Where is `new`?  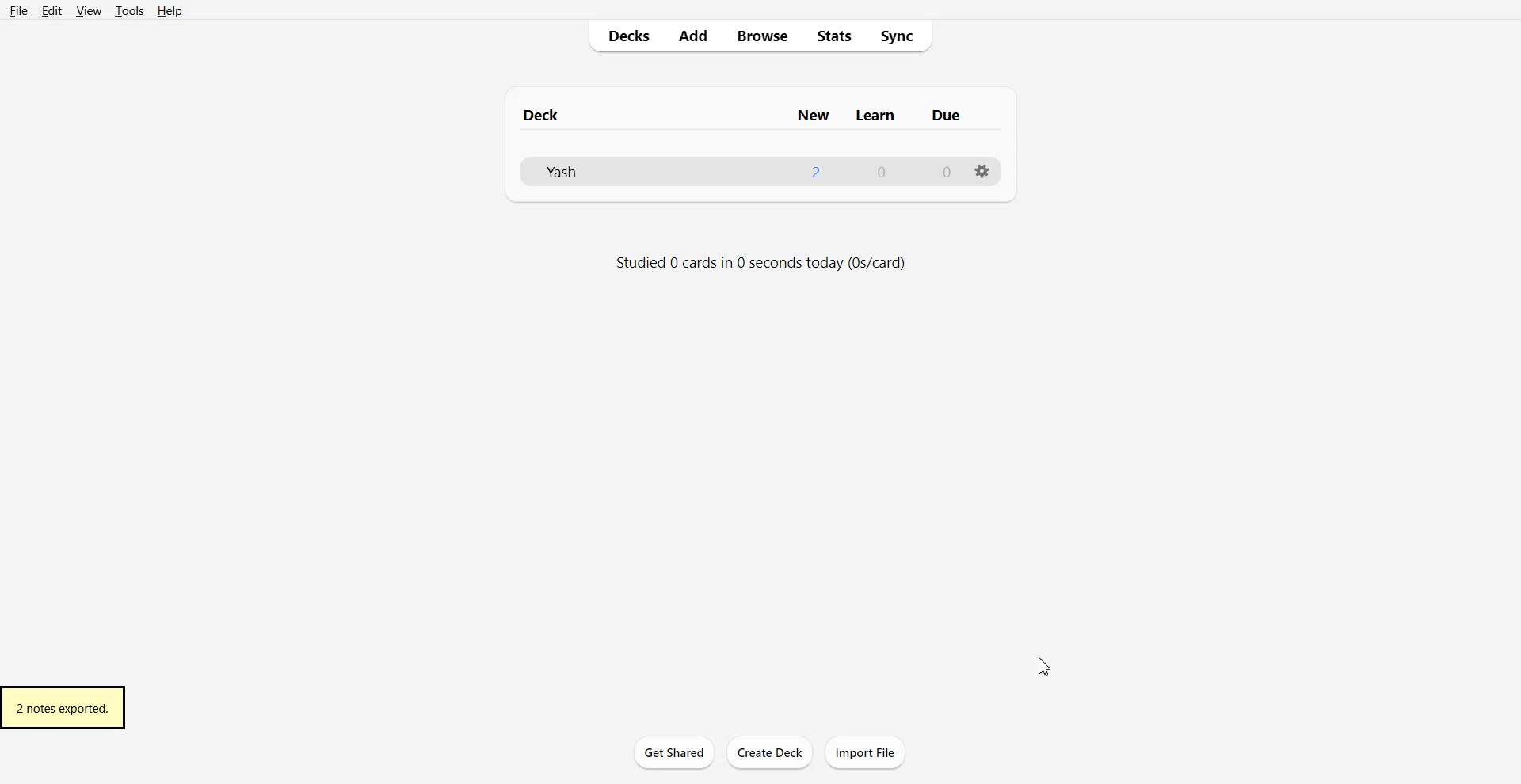
new is located at coordinates (813, 116).